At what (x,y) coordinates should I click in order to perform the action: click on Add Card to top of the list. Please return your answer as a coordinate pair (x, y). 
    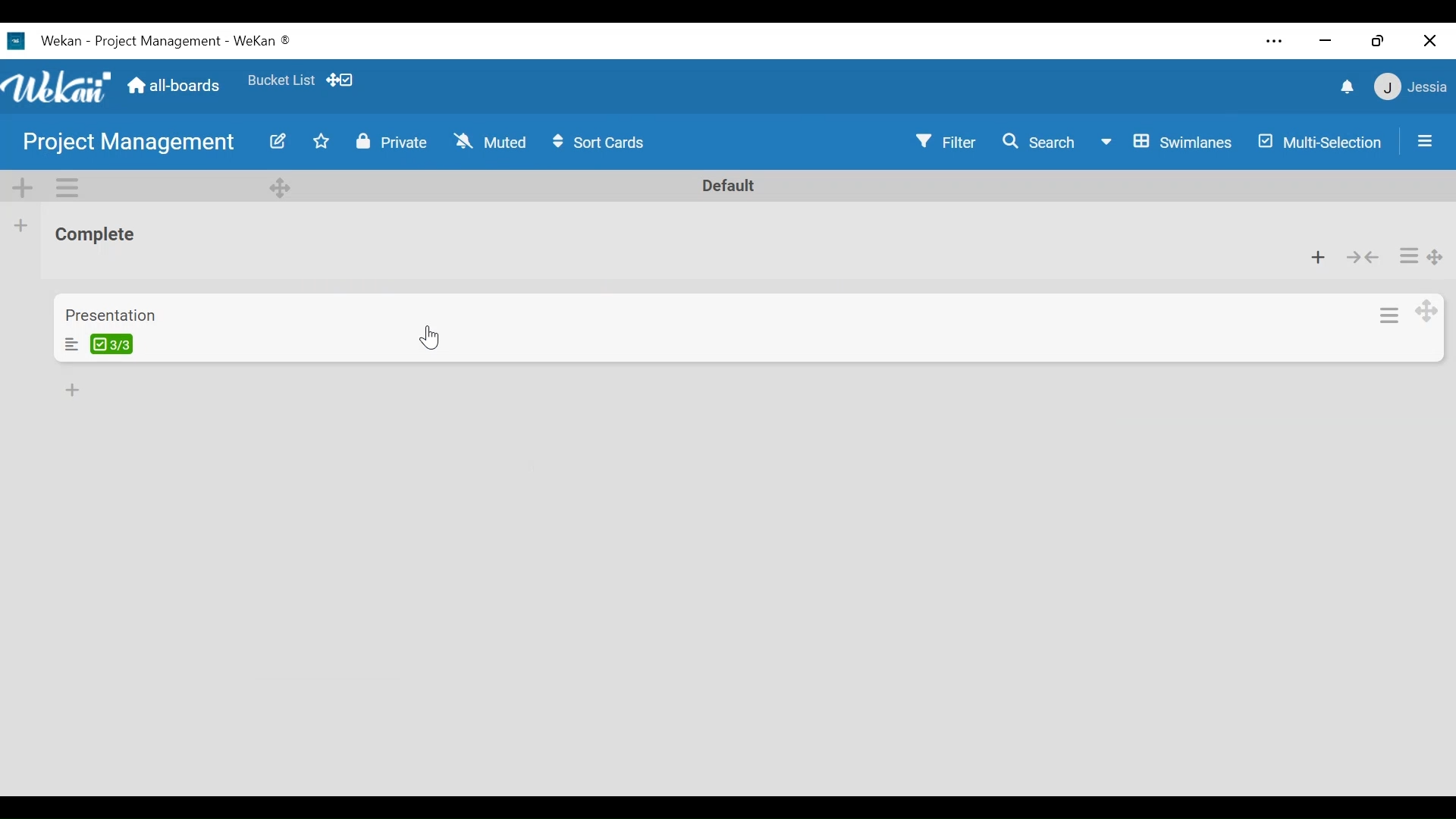
    Looking at the image, I should click on (1319, 259).